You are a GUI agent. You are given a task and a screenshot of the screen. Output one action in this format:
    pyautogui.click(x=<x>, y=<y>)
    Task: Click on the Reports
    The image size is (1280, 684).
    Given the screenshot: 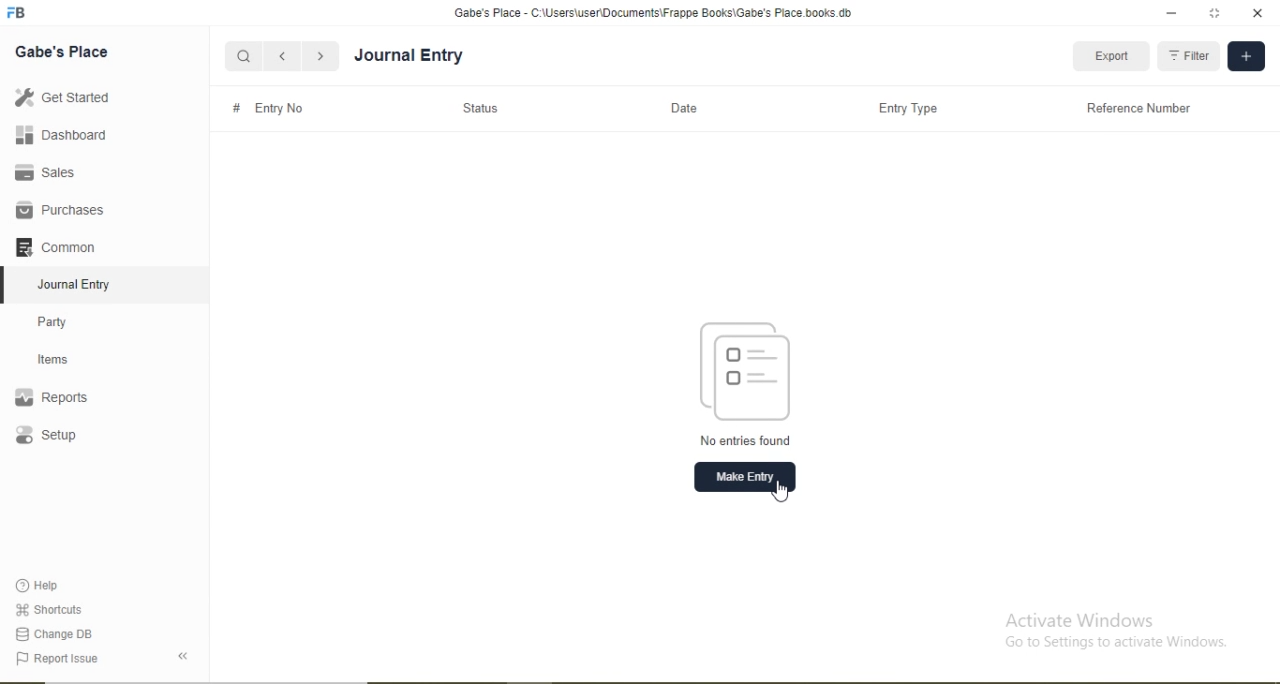 What is the action you would take?
    pyautogui.click(x=61, y=398)
    